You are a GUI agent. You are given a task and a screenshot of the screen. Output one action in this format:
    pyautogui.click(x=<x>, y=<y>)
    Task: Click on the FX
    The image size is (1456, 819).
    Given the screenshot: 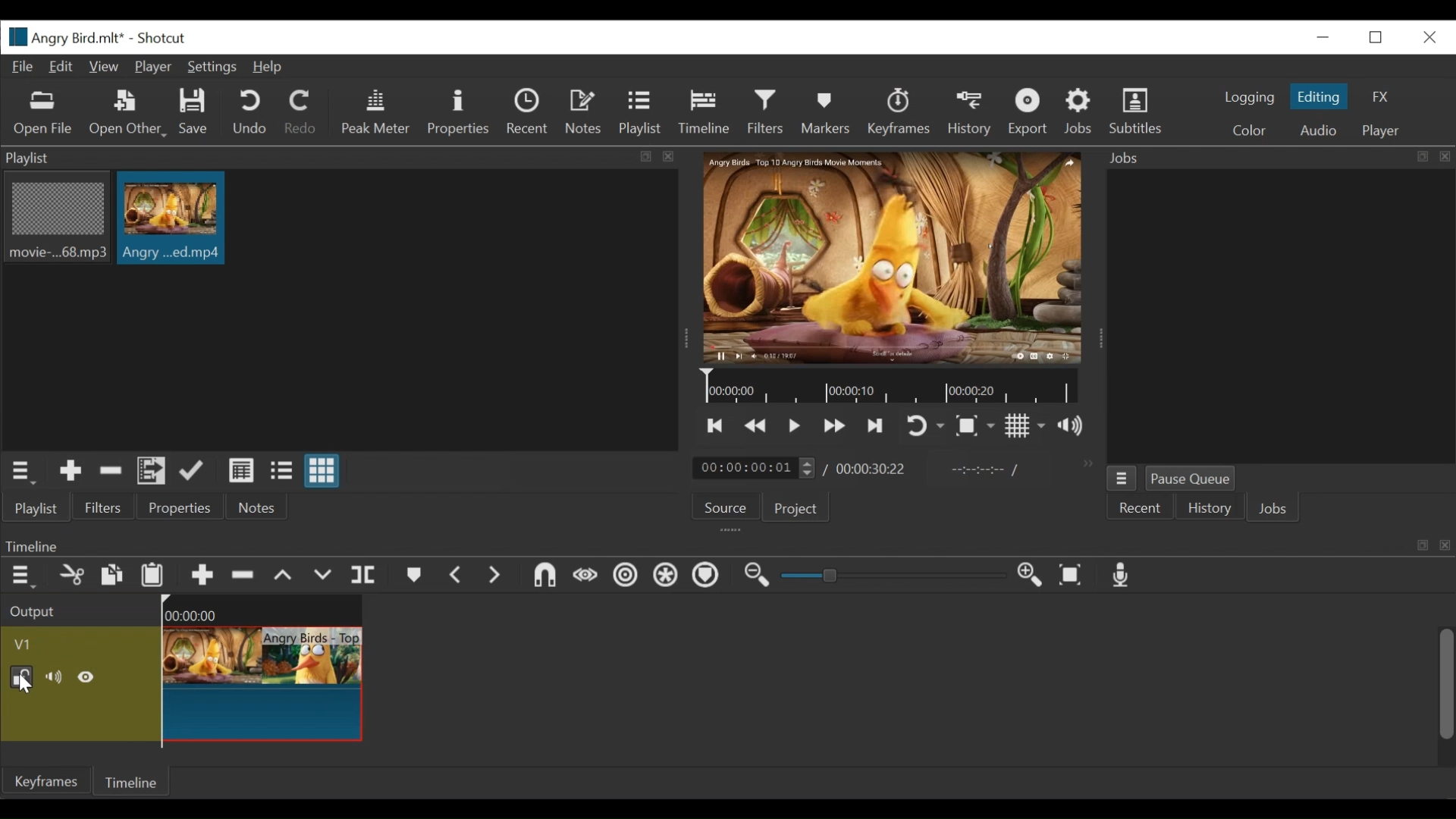 What is the action you would take?
    pyautogui.click(x=1382, y=96)
    